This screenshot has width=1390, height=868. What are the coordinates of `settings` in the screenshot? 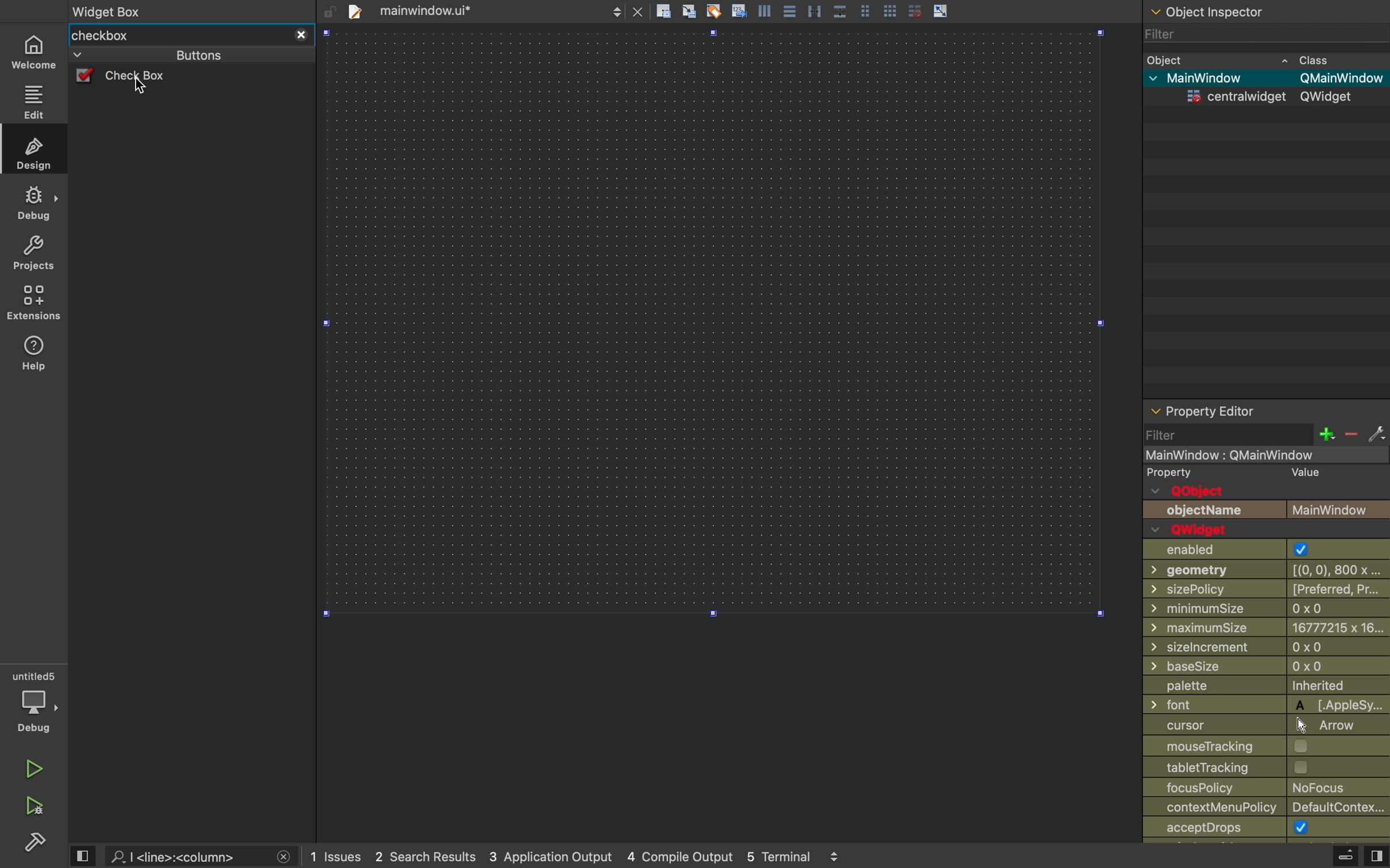 It's located at (1377, 435).